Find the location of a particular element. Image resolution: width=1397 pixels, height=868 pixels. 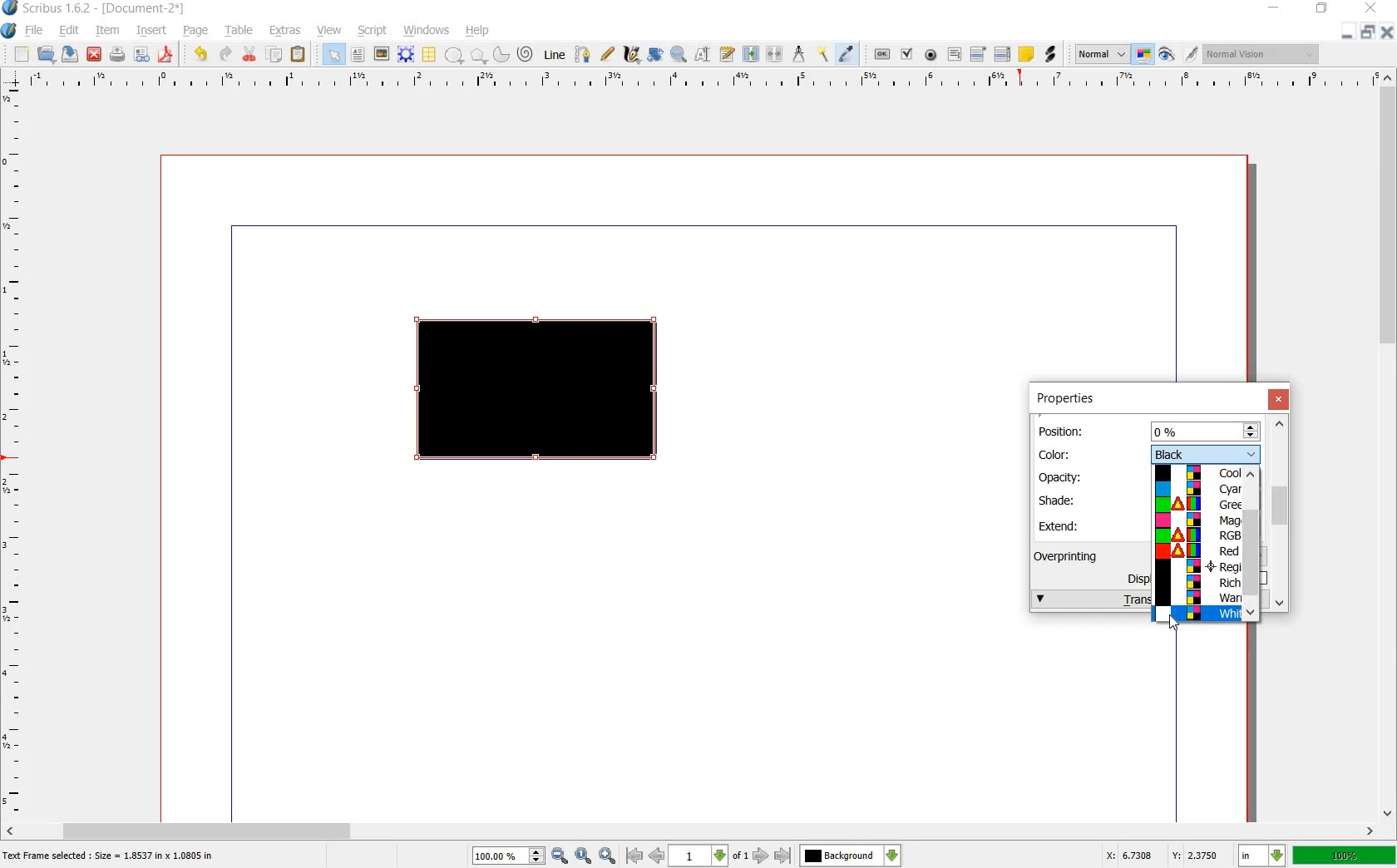

image frame is located at coordinates (380, 54).